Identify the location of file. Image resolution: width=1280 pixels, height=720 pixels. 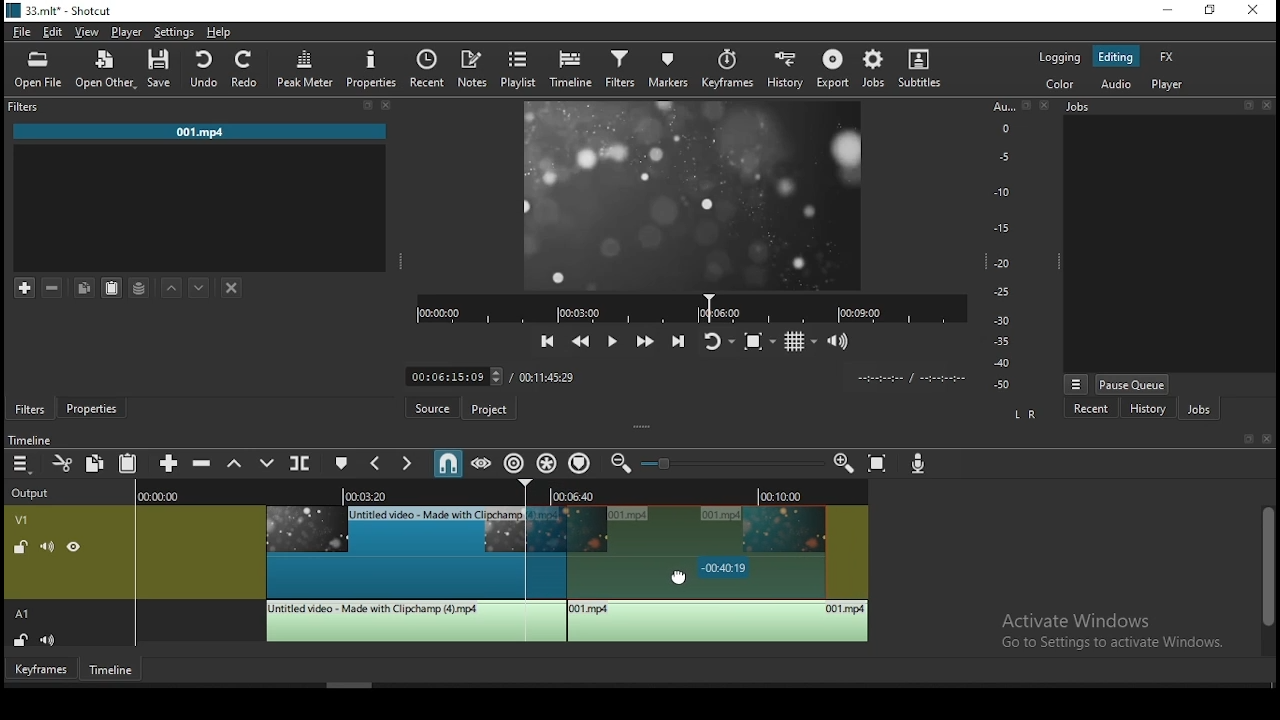
(23, 32).